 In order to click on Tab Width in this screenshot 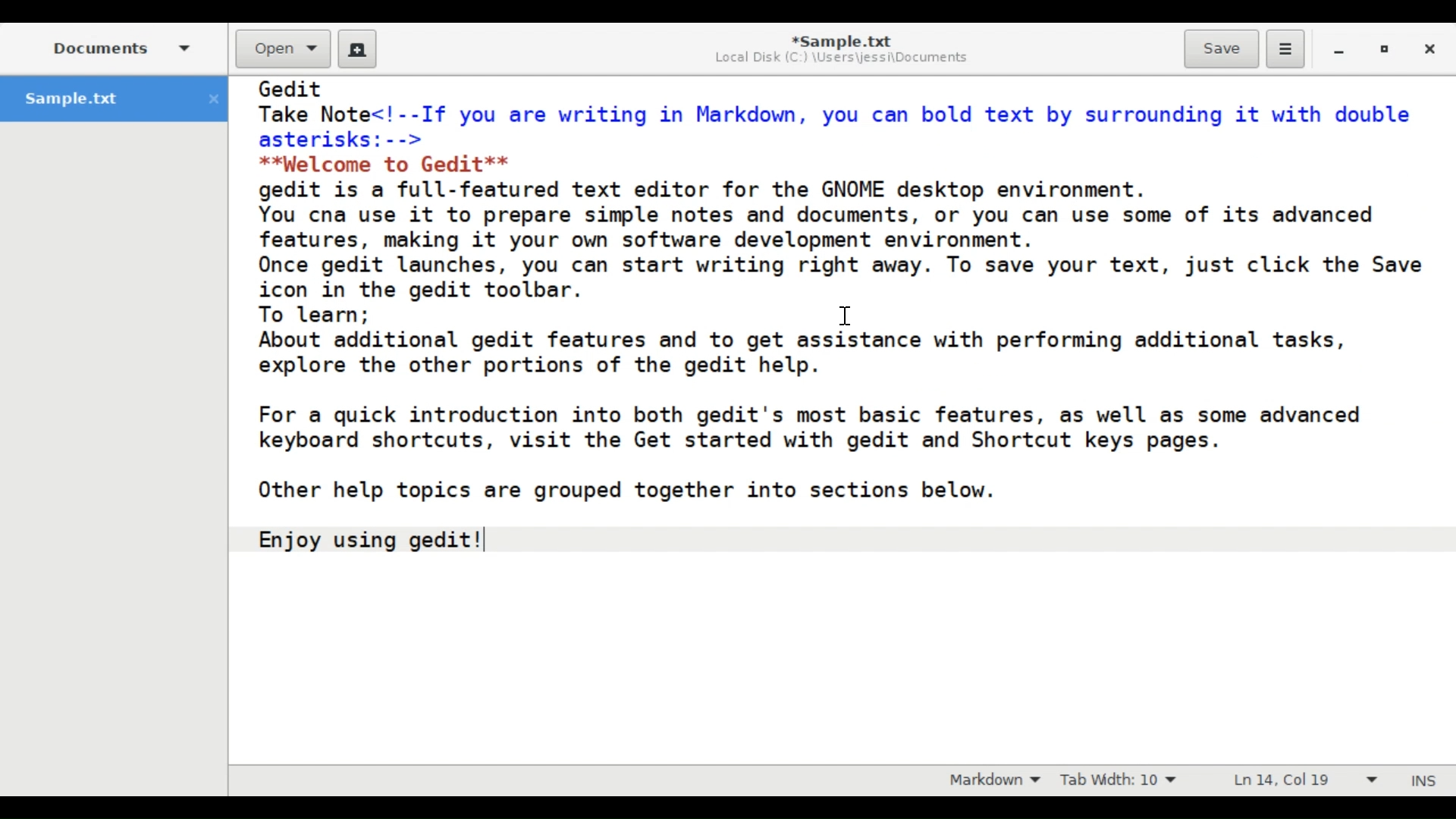, I will do `click(1123, 780)`.